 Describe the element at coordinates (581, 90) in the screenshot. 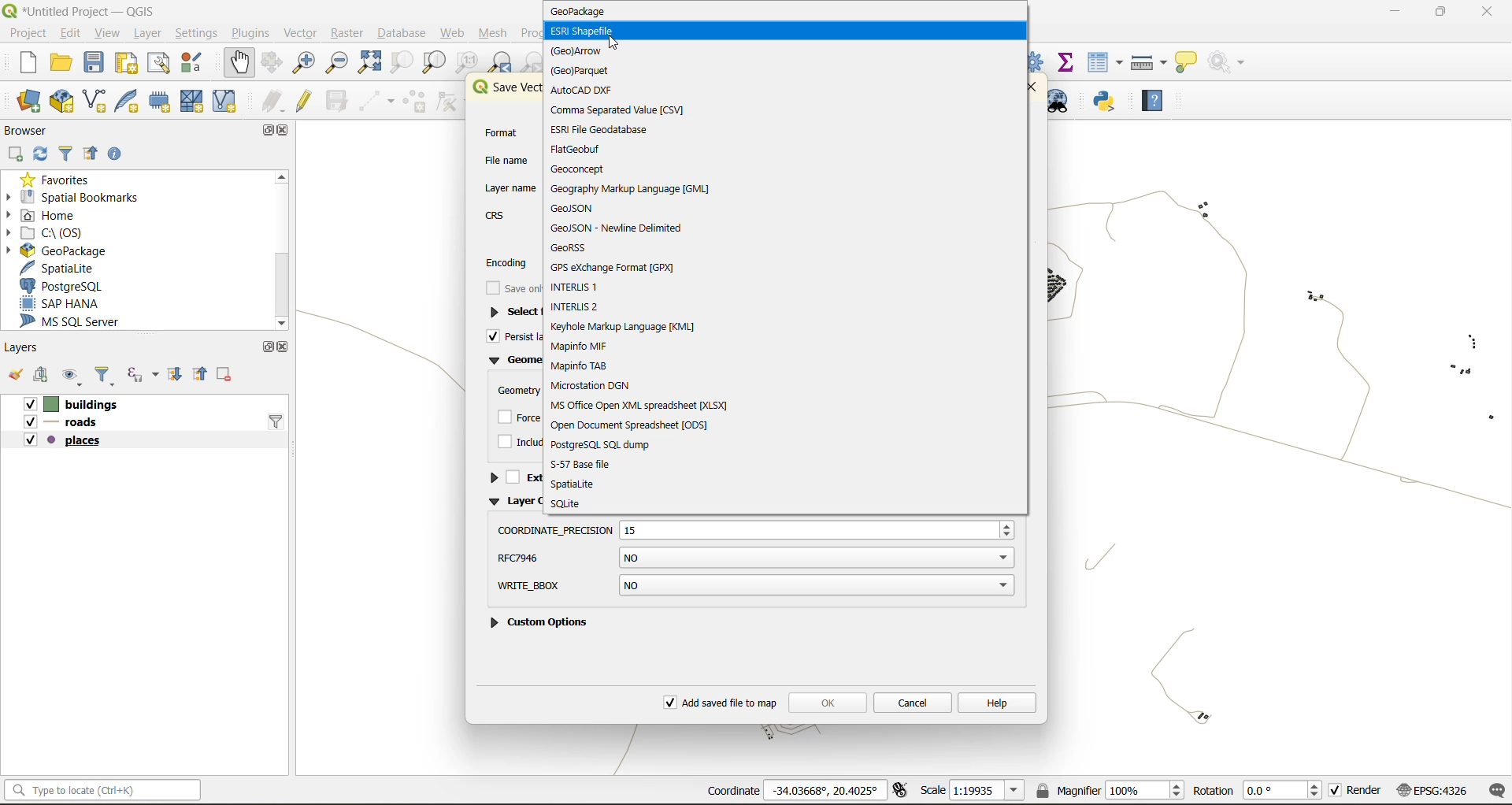

I see `autocad` at that location.